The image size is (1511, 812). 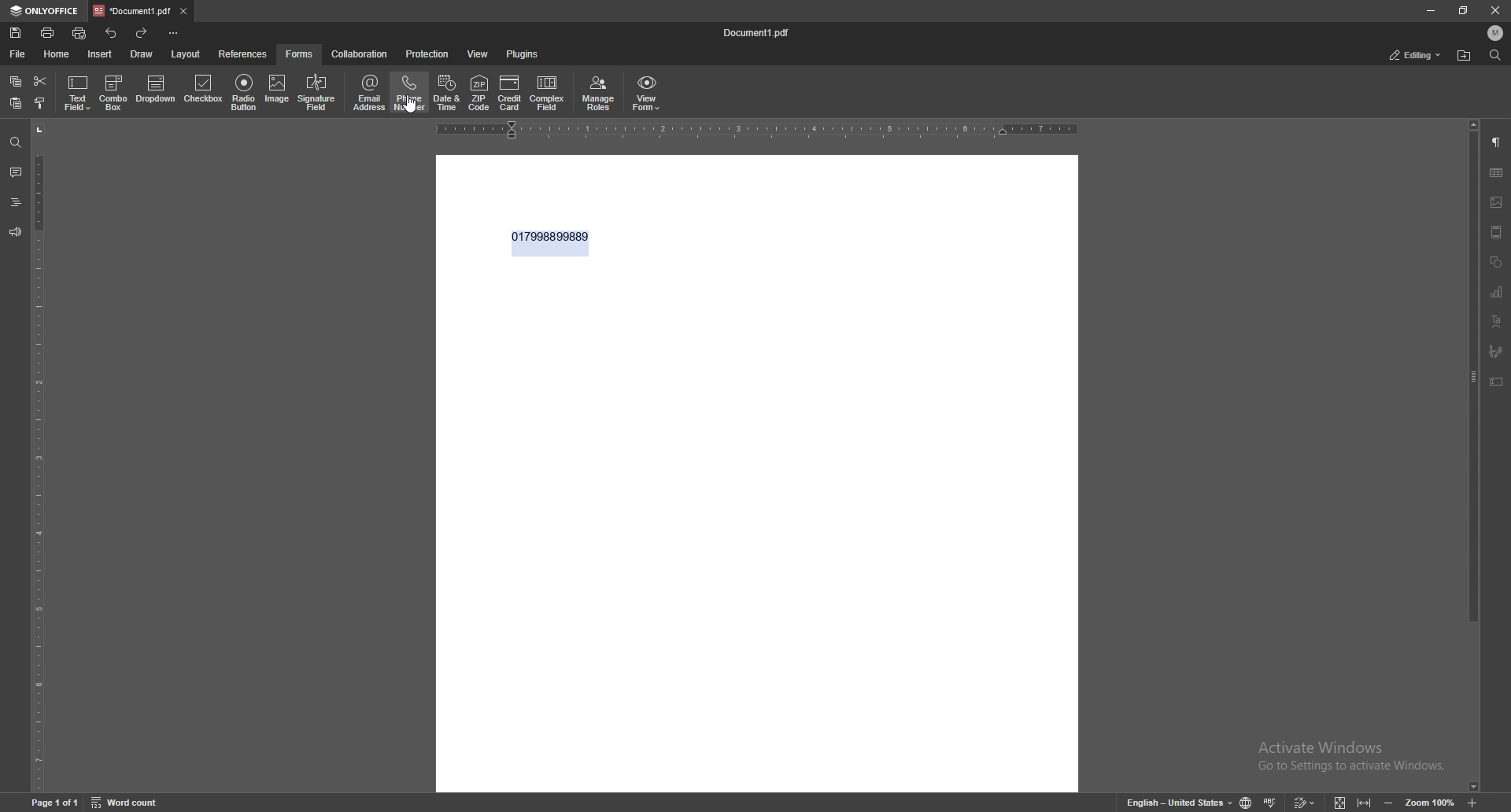 What do you see at coordinates (49, 32) in the screenshot?
I see `print` at bounding box center [49, 32].